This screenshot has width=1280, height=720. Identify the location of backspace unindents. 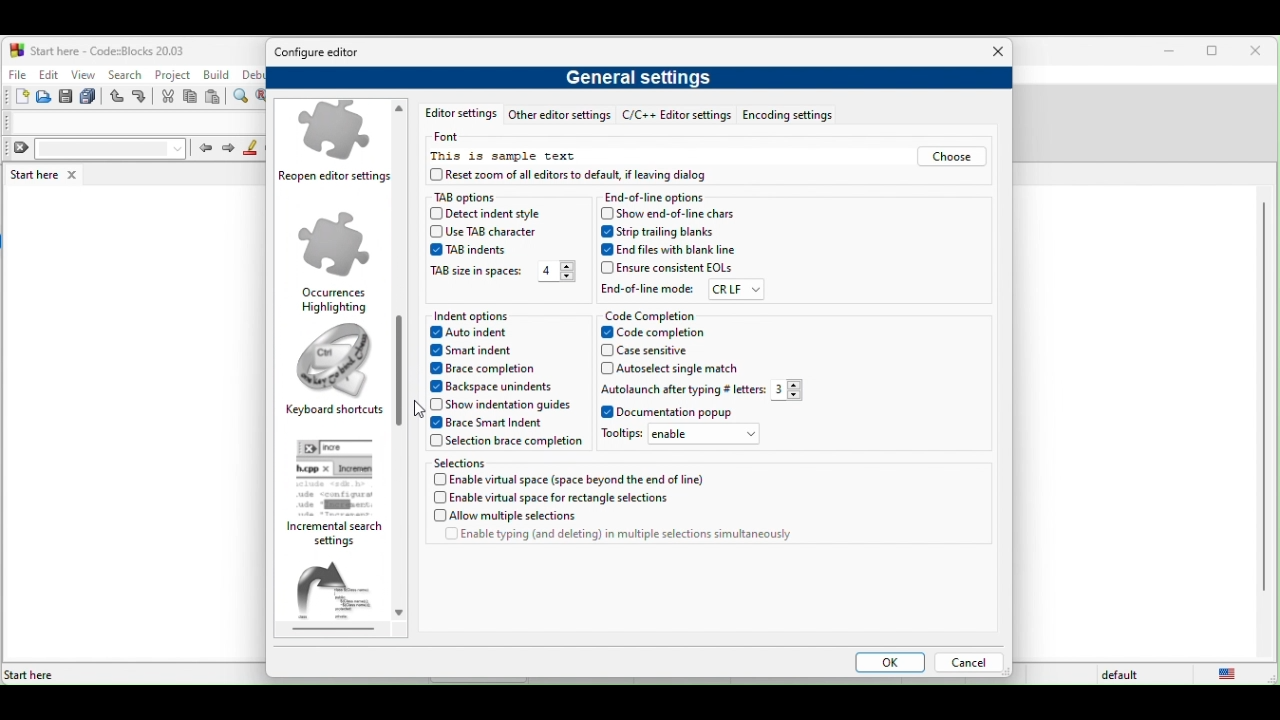
(499, 386).